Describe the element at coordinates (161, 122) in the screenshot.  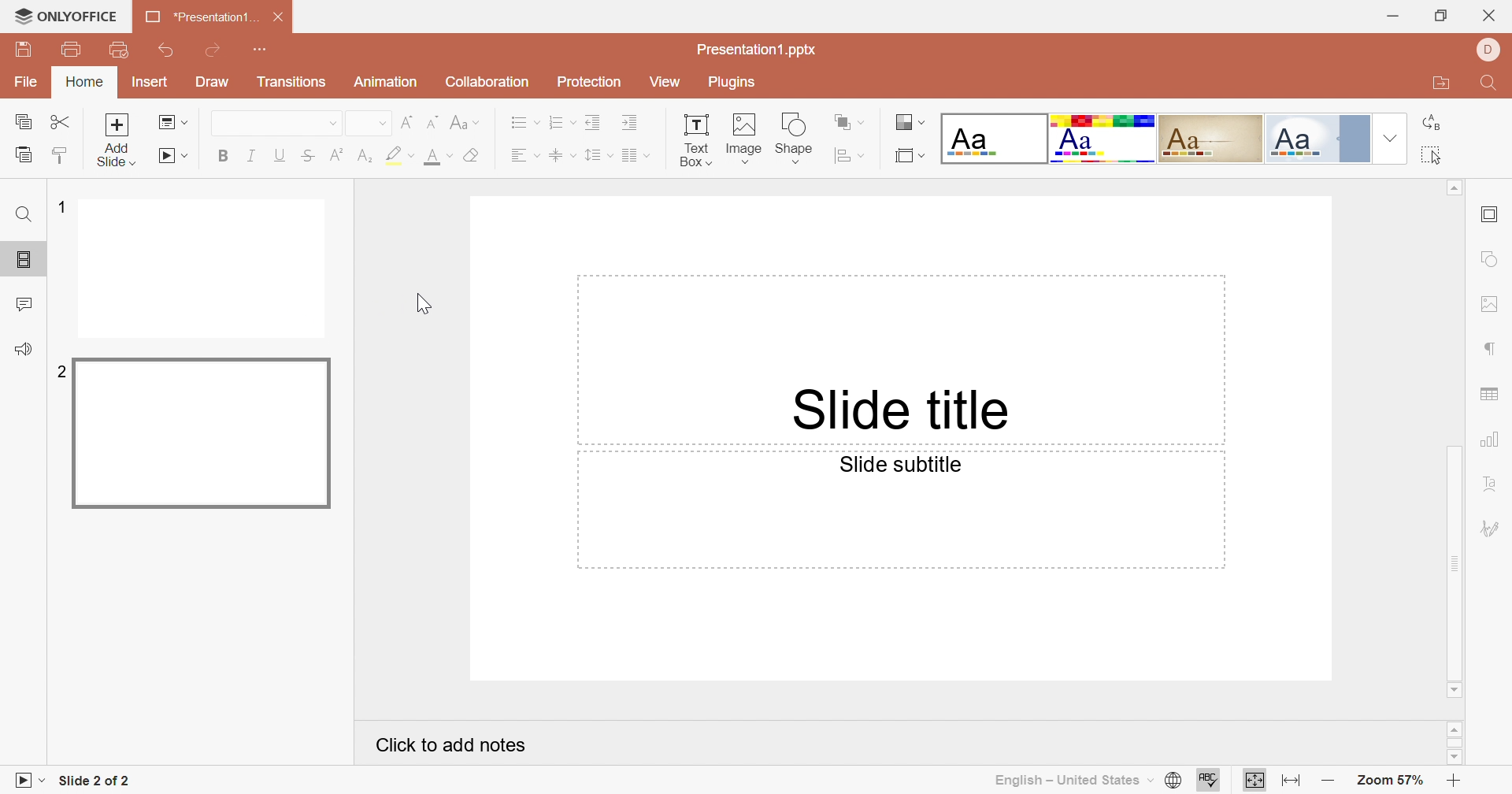
I see `Change slide layout` at that location.